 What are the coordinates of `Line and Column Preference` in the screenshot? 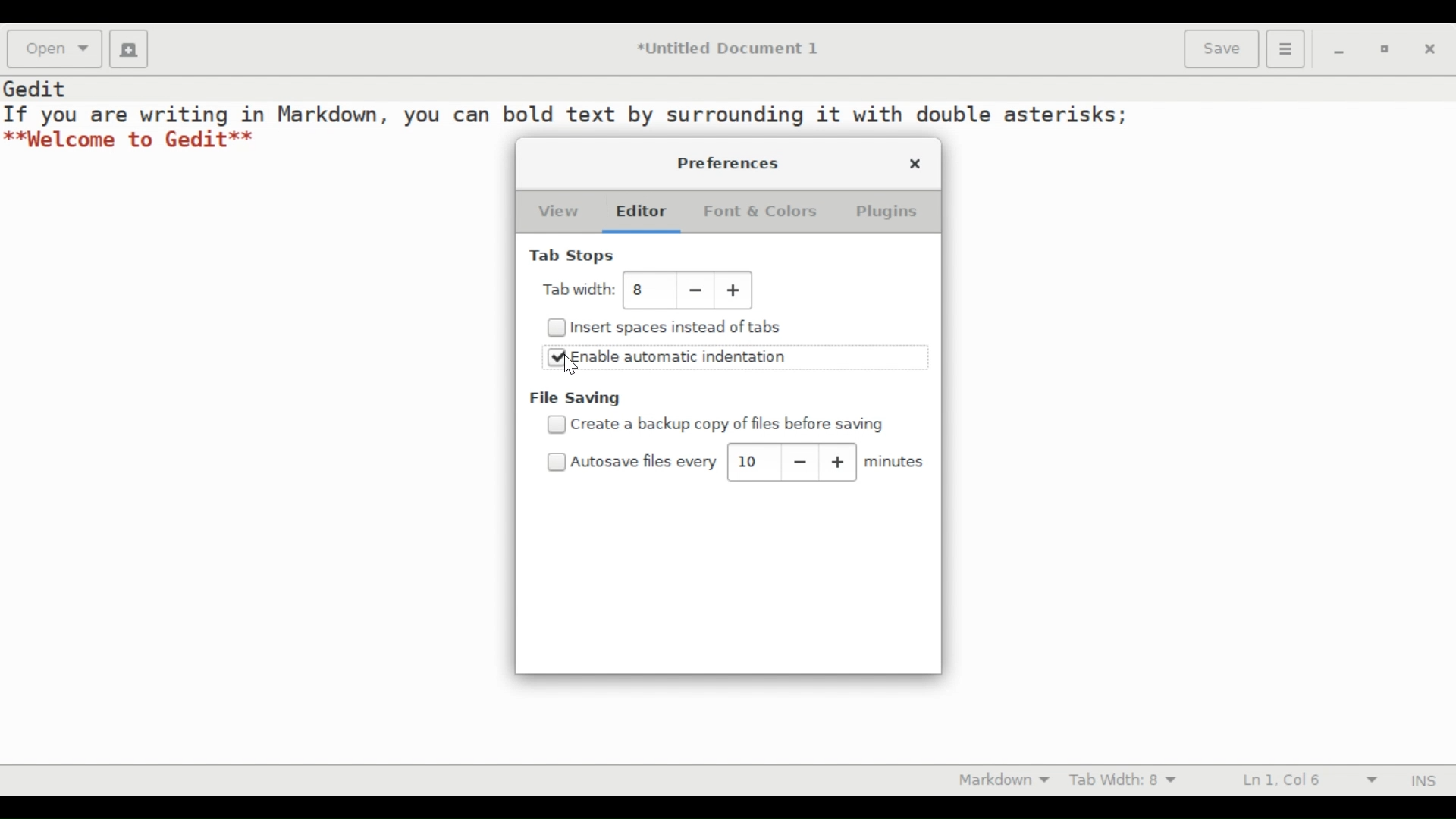 It's located at (1313, 780).